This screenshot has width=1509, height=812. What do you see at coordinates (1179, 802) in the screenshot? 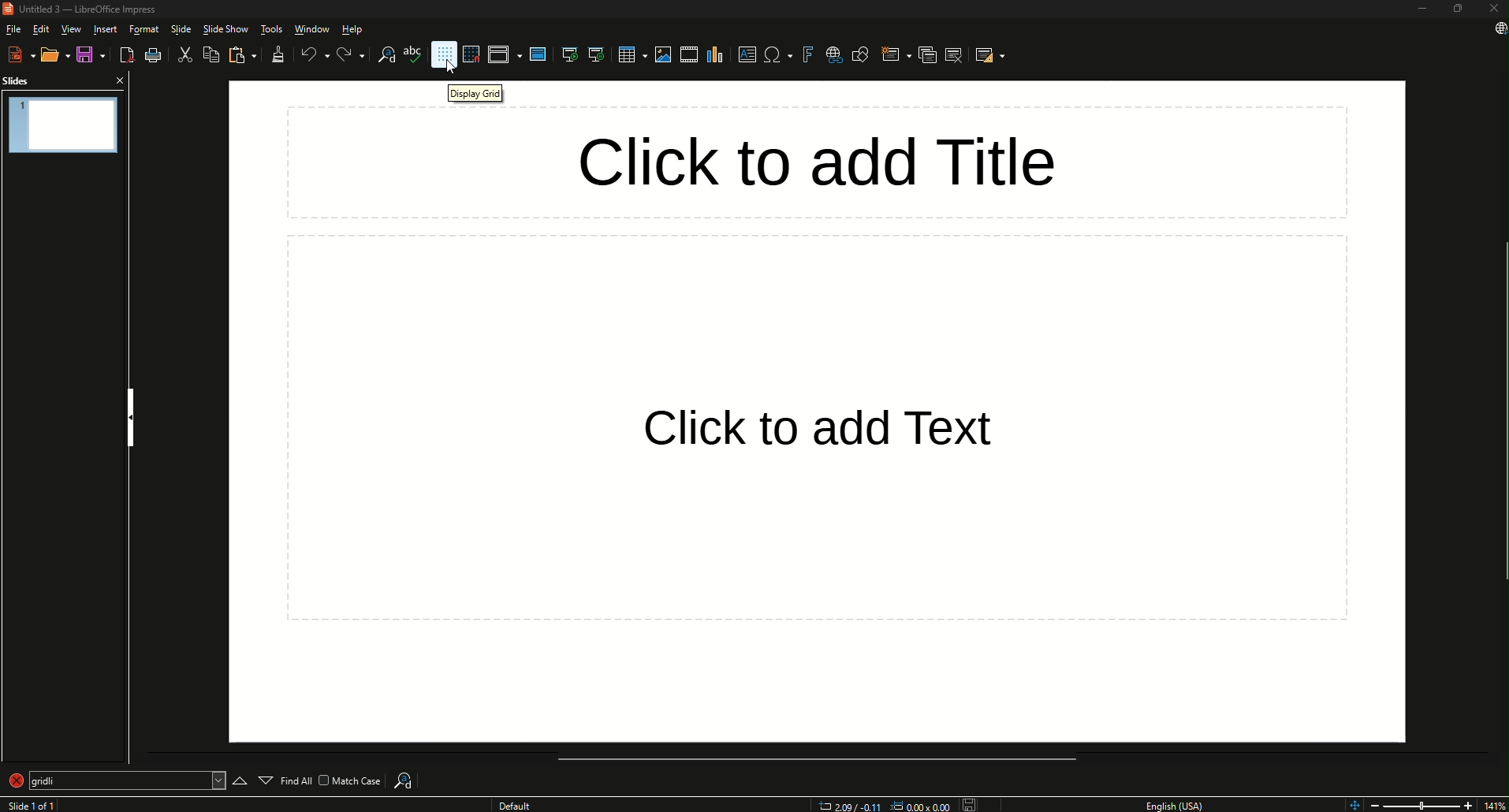
I see `English (USA)` at bounding box center [1179, 802].